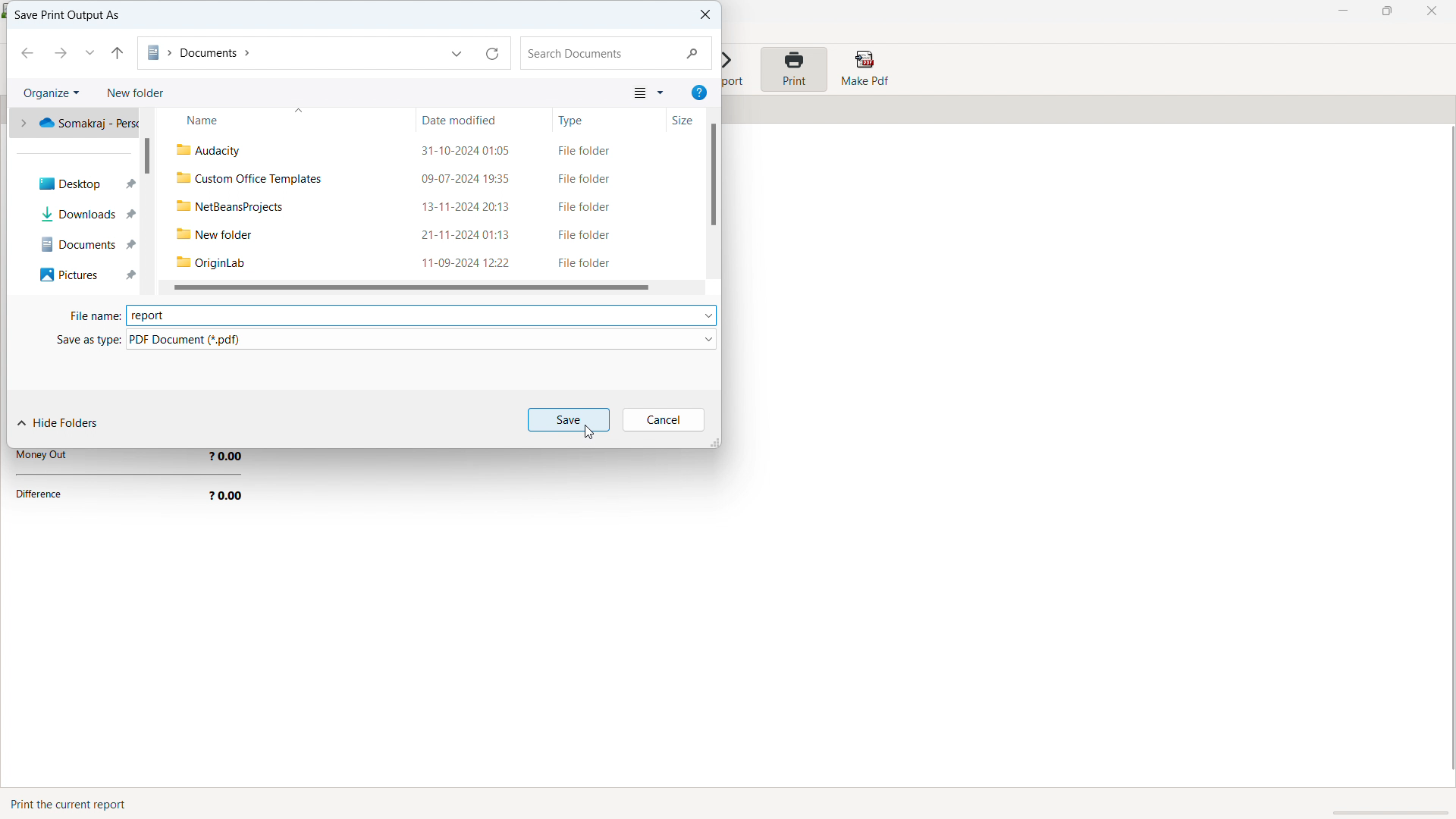 This screenshot has height=819, width=1456. Describe the element at coordinates (284, 120) in the screenshot. I see `sort by name` at that location.